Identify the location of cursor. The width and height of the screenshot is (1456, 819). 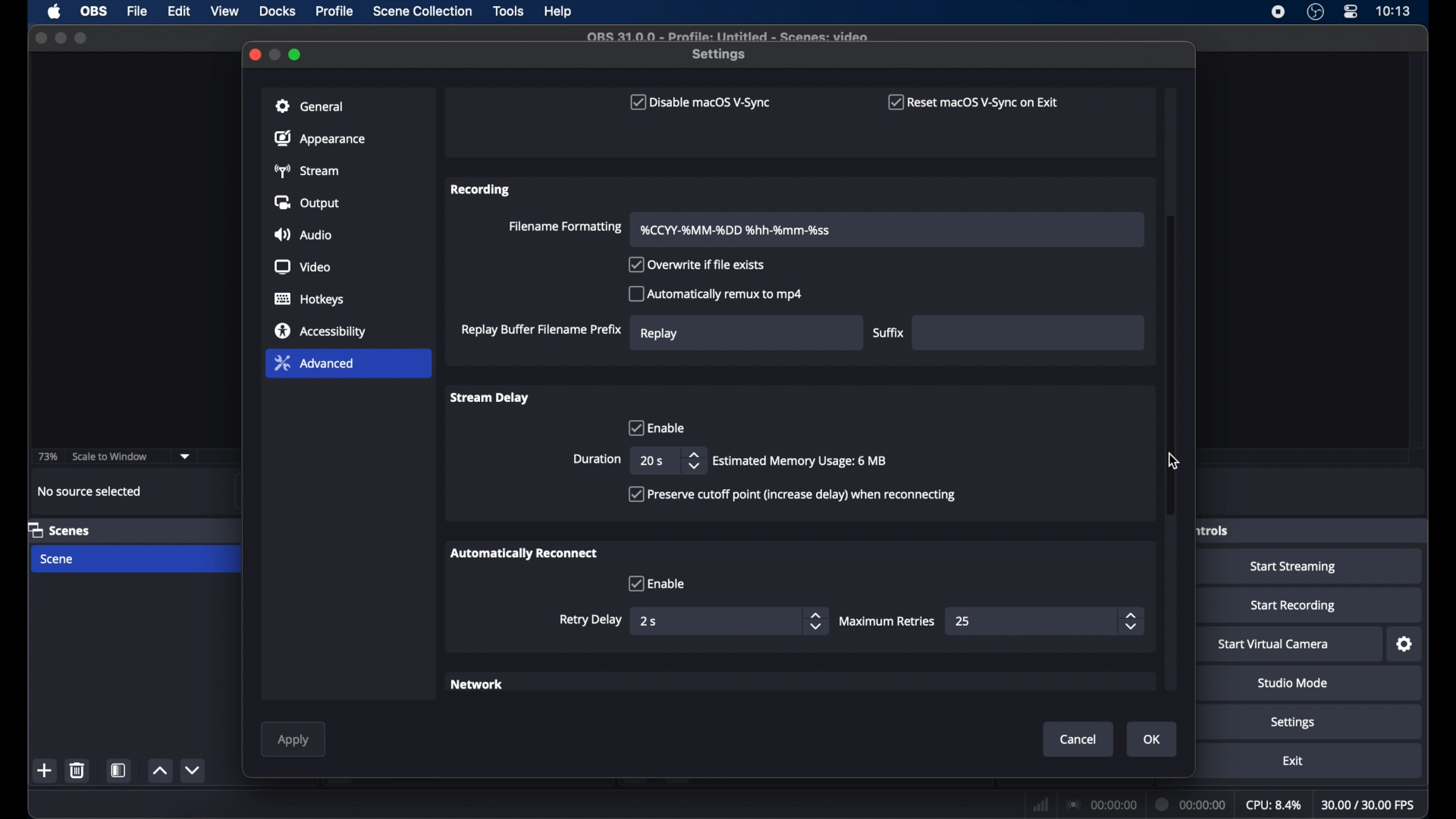
(1175, 460).